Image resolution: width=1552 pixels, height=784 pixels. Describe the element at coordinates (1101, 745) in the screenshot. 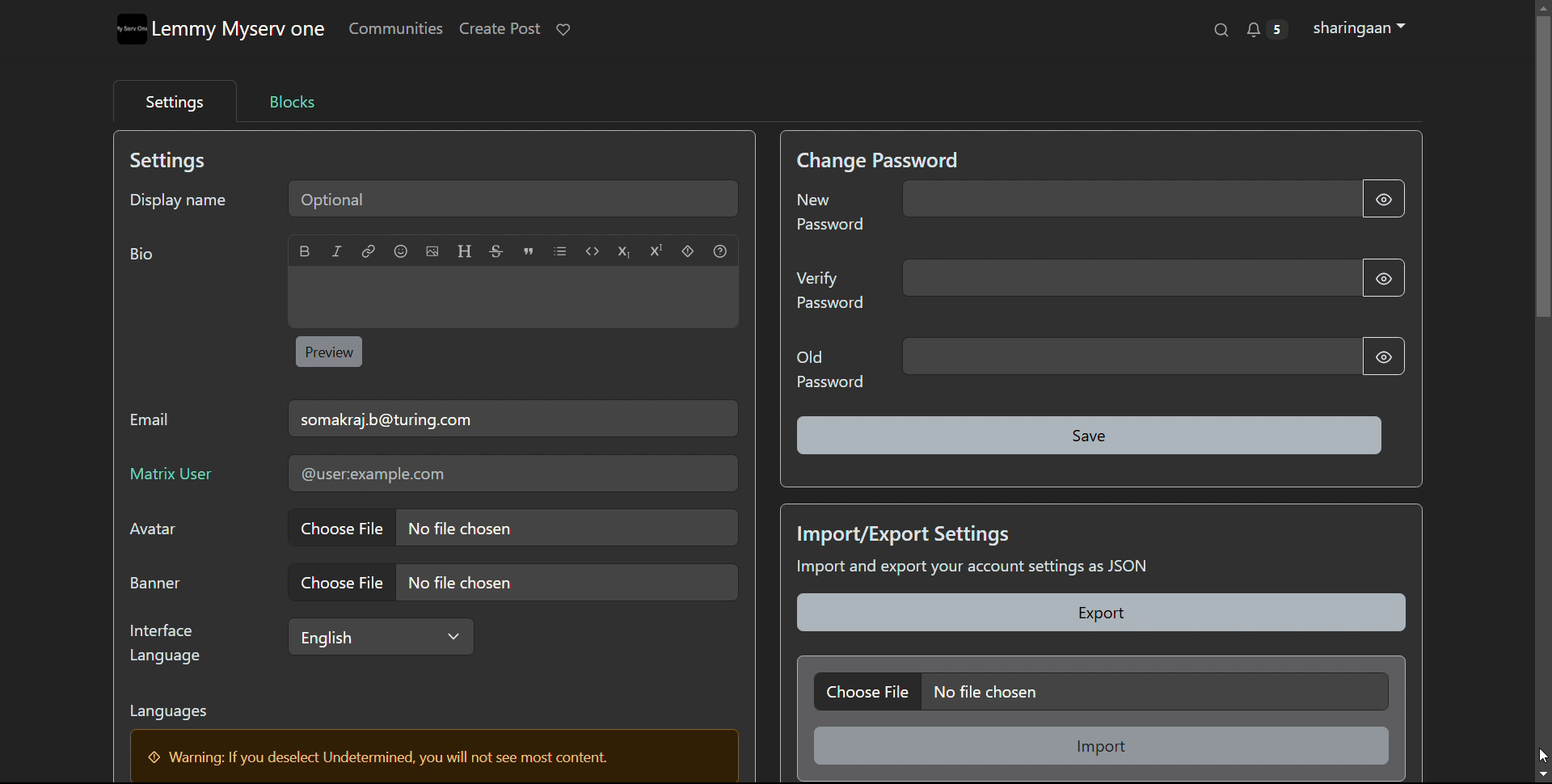

I see `import` at that location.